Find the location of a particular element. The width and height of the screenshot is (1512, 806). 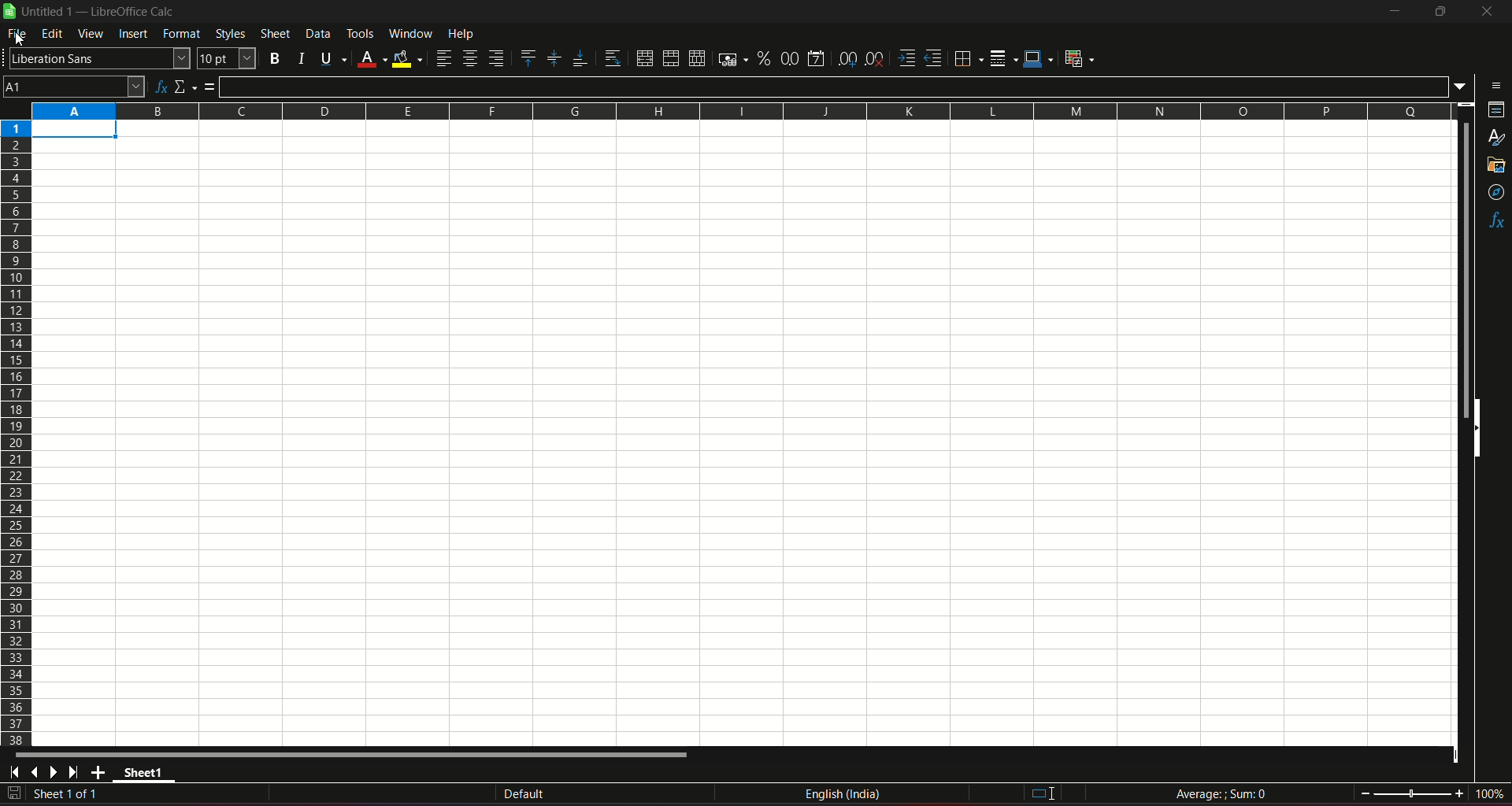

libreoffice calc logo is located at coordinates (9, 13).